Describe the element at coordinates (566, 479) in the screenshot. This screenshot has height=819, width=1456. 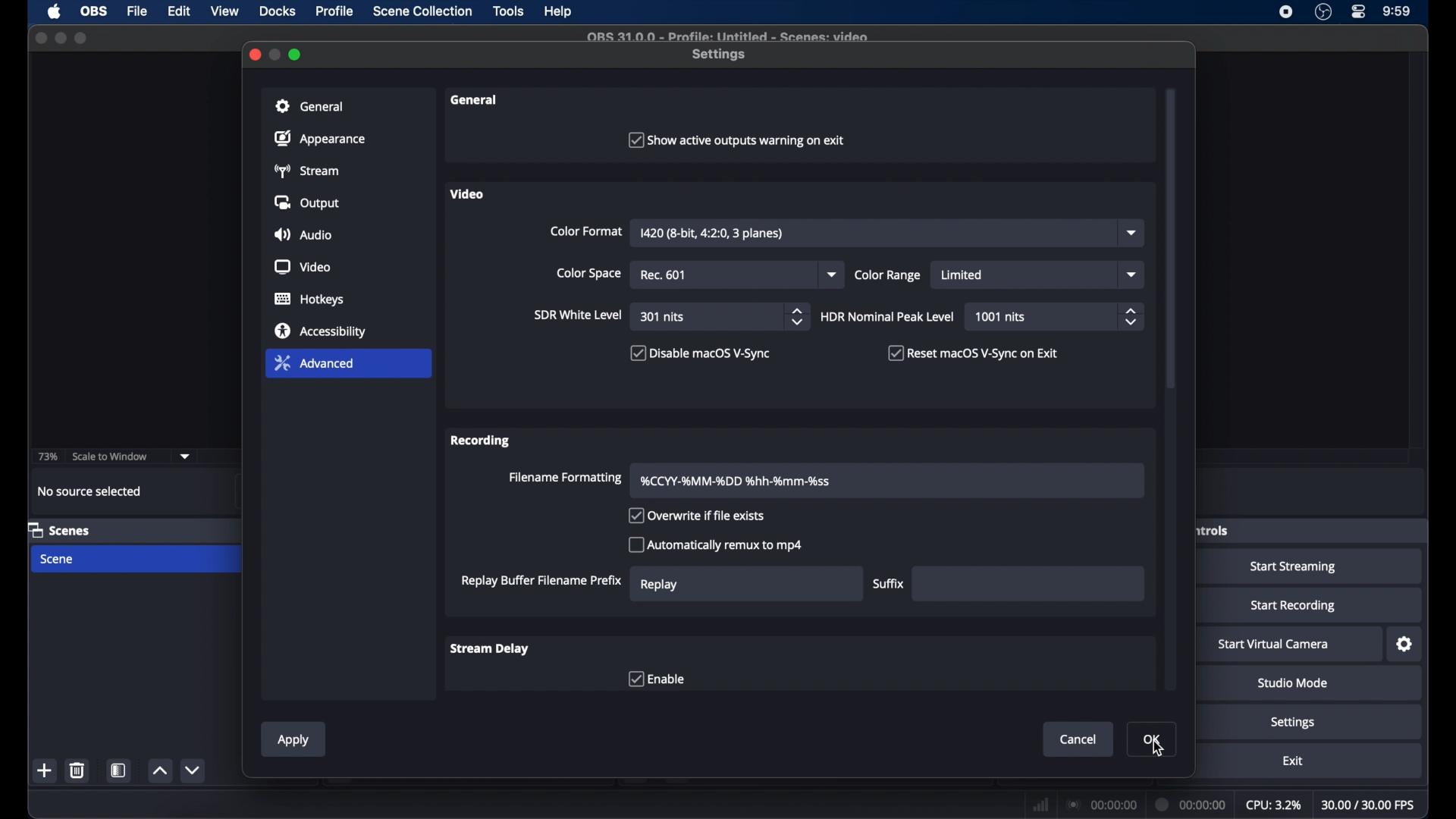
I see `filename formatting` at that location.